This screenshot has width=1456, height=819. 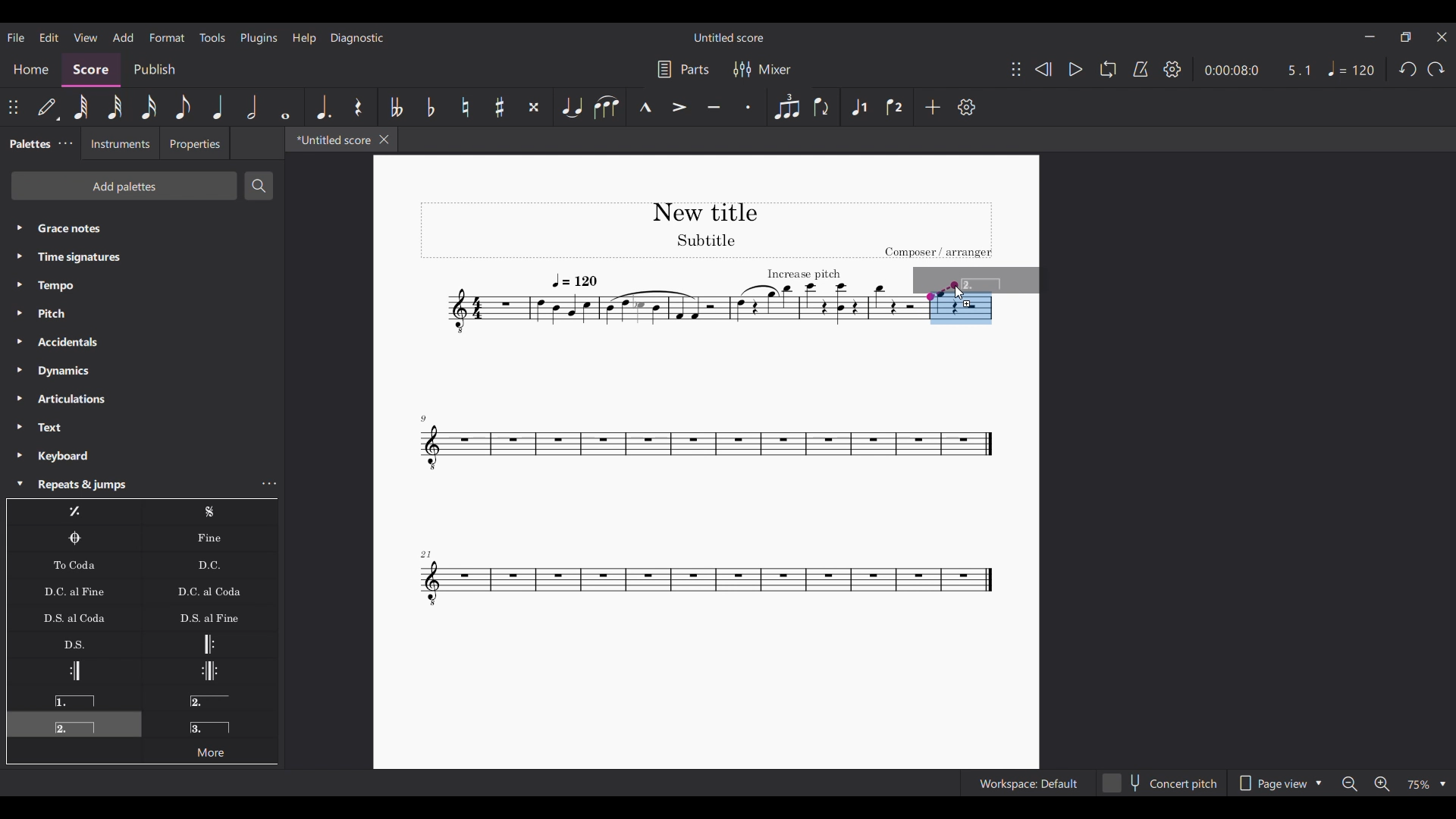 I want to click on Cursor, so click(x=960, y=292).